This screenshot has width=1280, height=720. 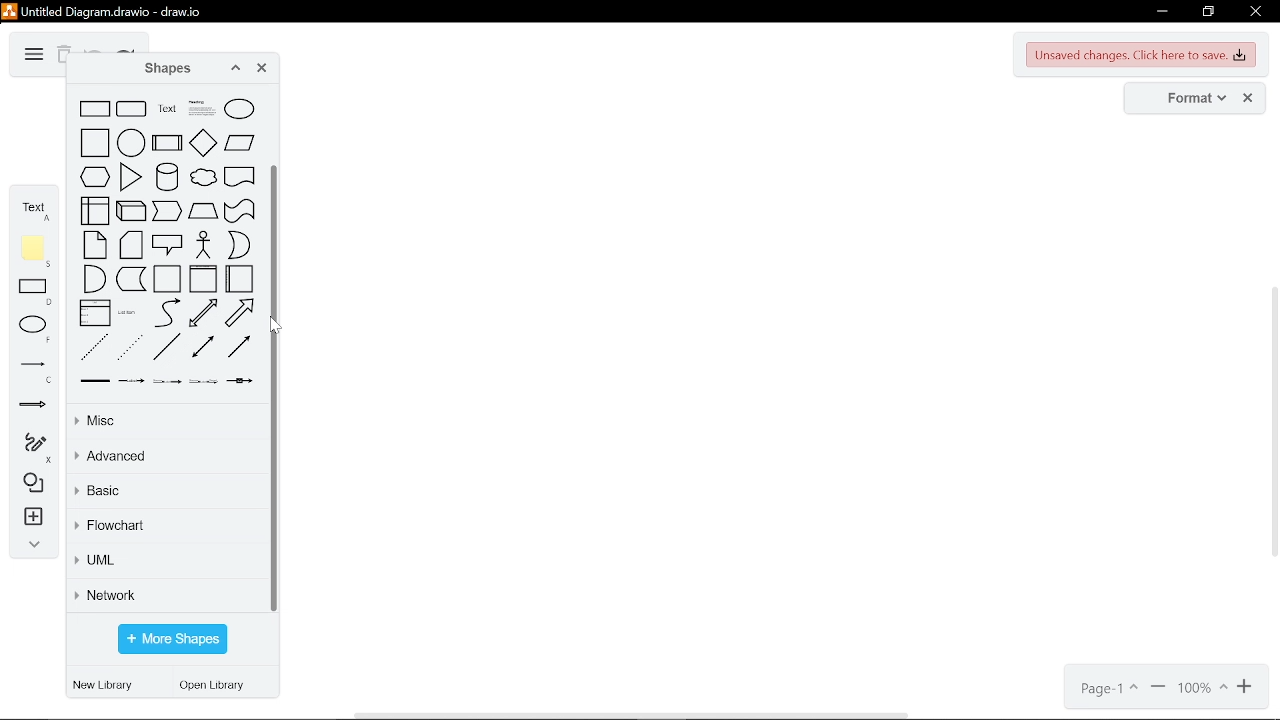 I want to click on step, so click(x=168, y=211).